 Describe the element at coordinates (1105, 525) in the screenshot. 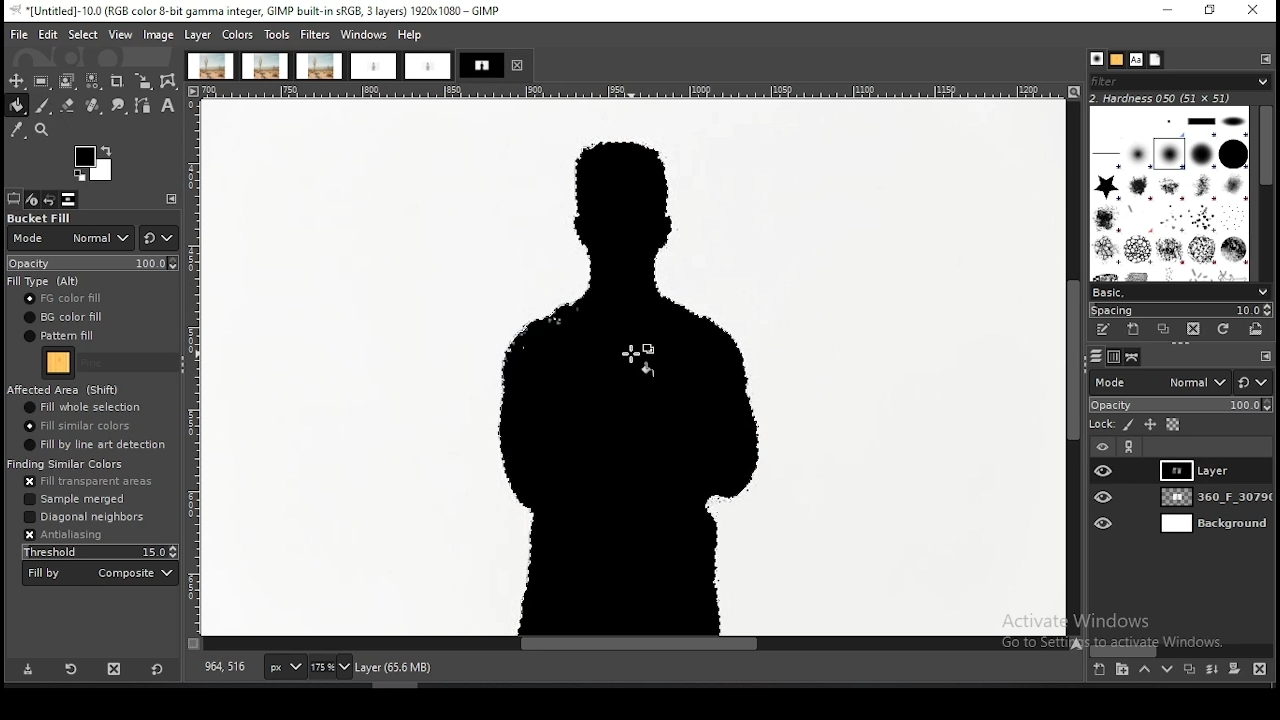

I see `layer visibility on/off` at that location.